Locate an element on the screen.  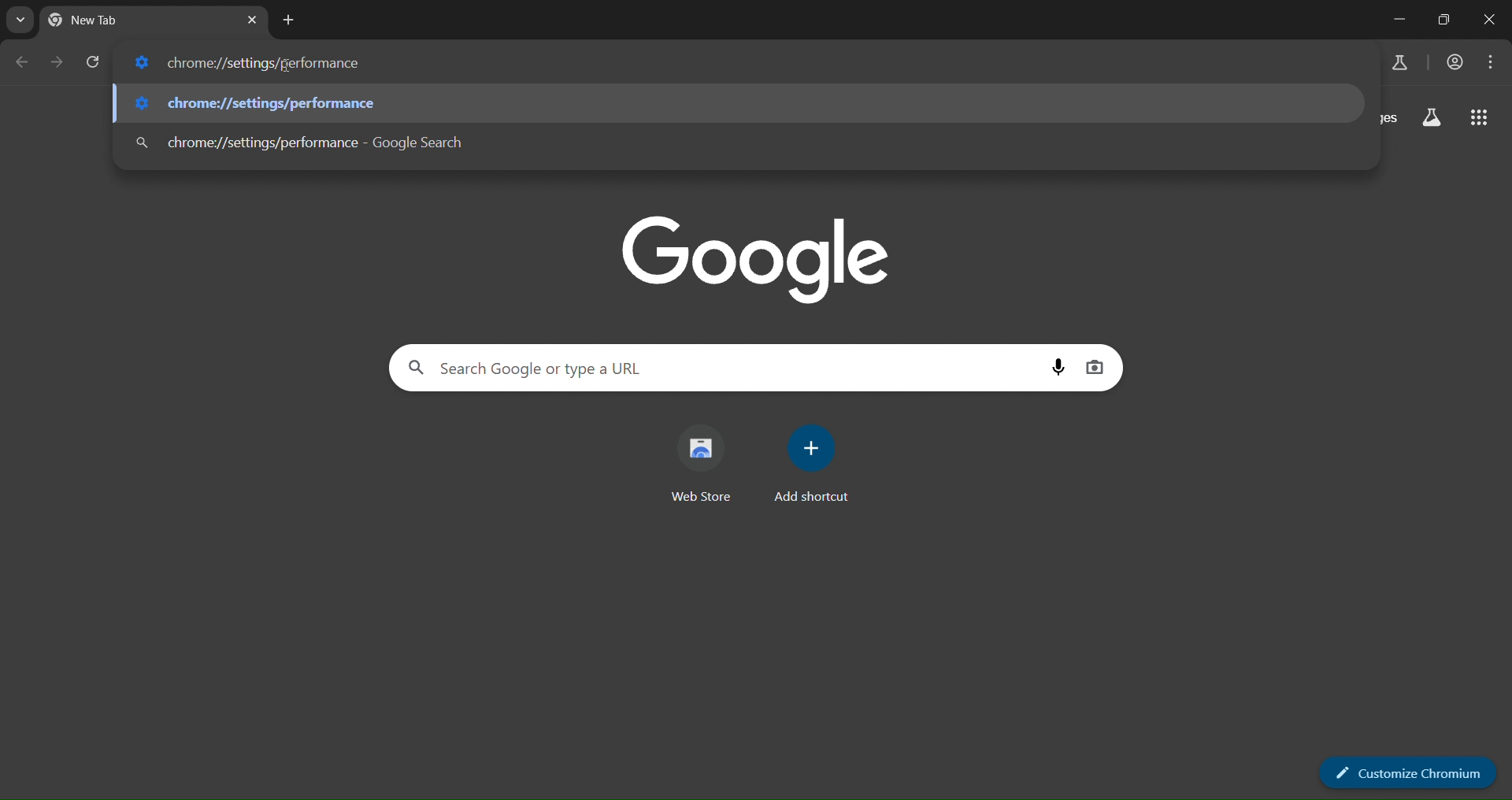
chrome://settings/performance is located at coordinates (735, 104).